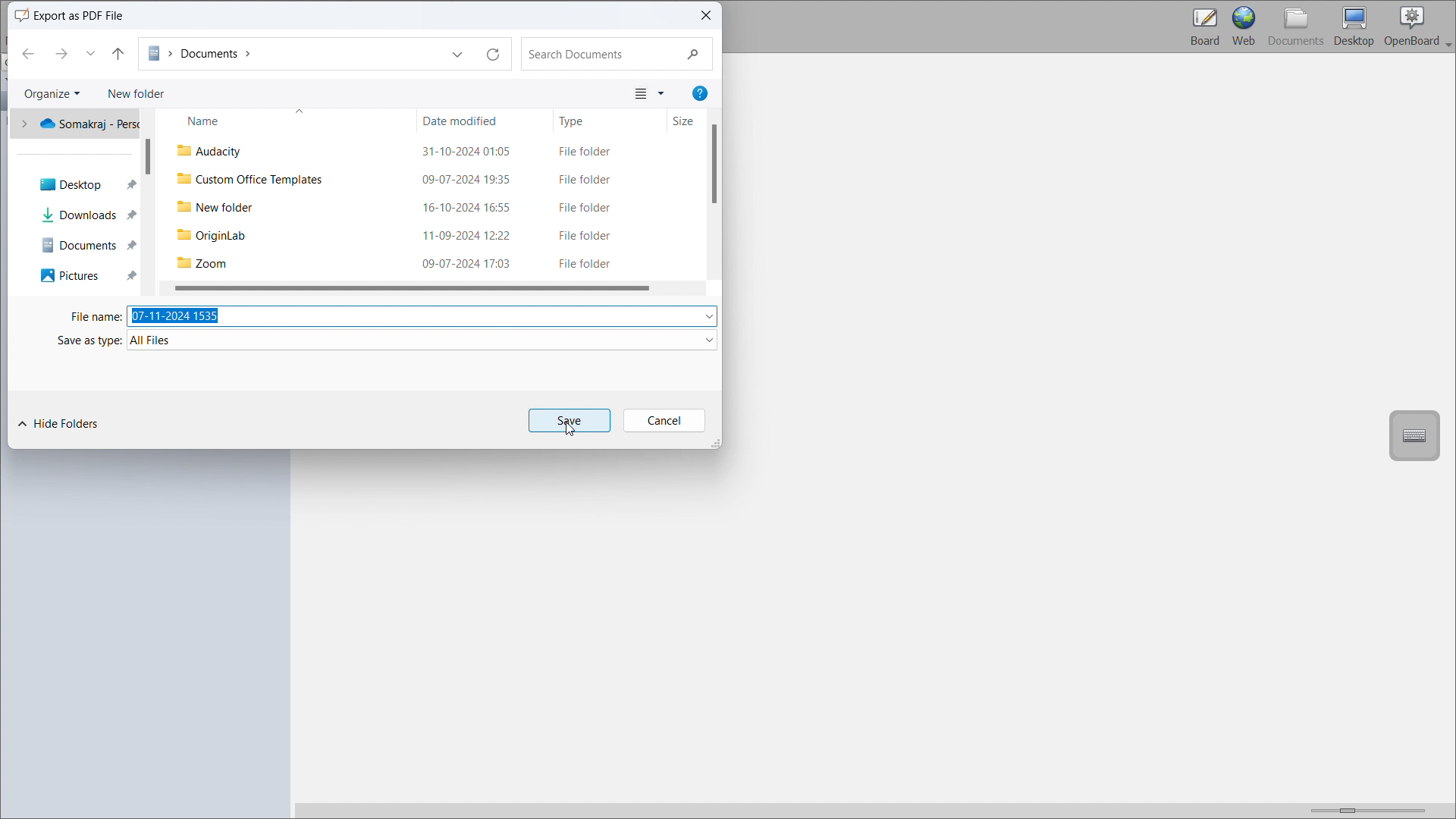 Image resolution: width=1456 pixels, height=819 pixels. Describe the element at coordinates (89, 51) in the screenshot. I see `upward` at that location.